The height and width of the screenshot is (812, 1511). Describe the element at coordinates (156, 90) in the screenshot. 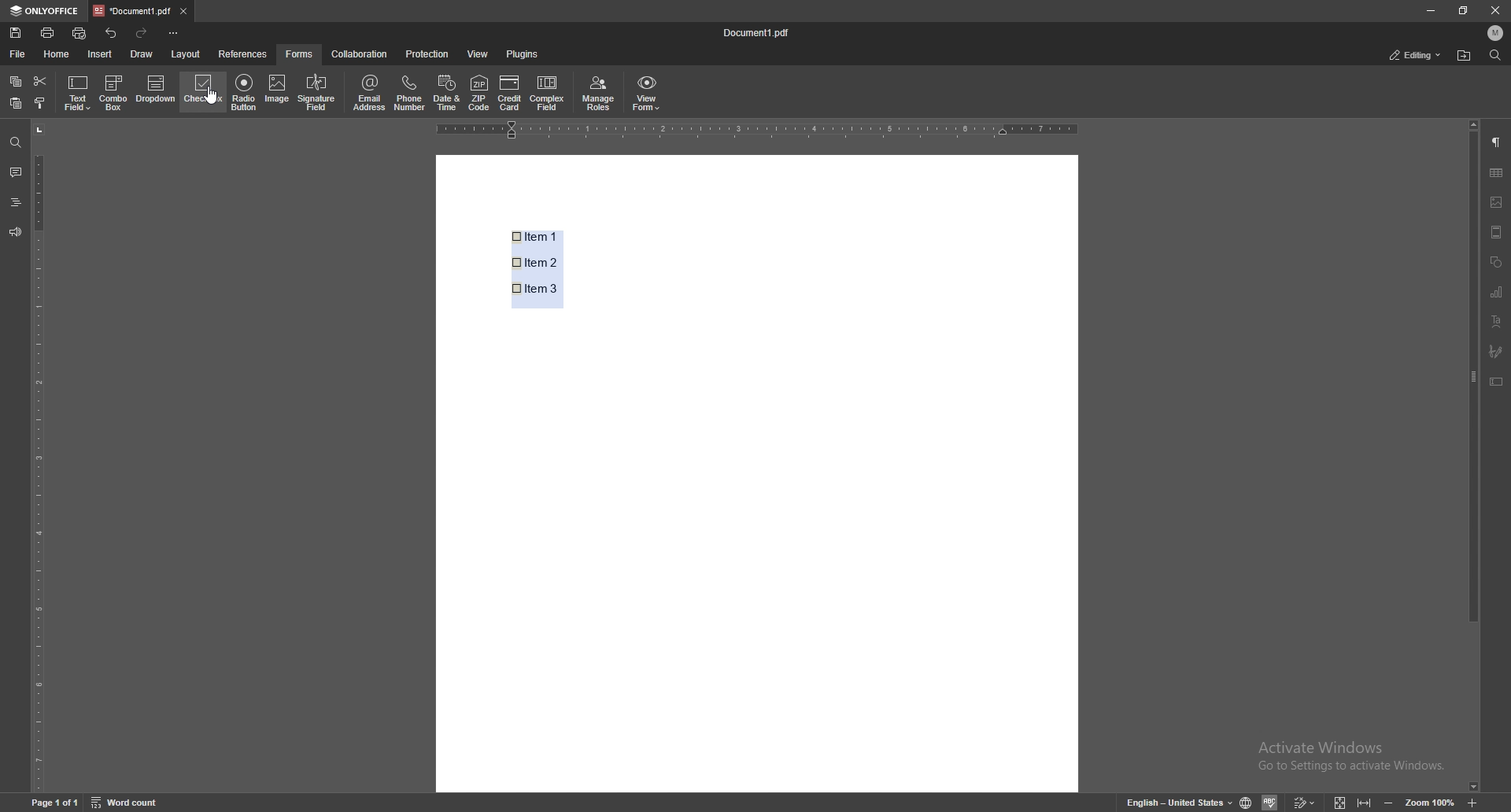

I see `dropdown` at that location.